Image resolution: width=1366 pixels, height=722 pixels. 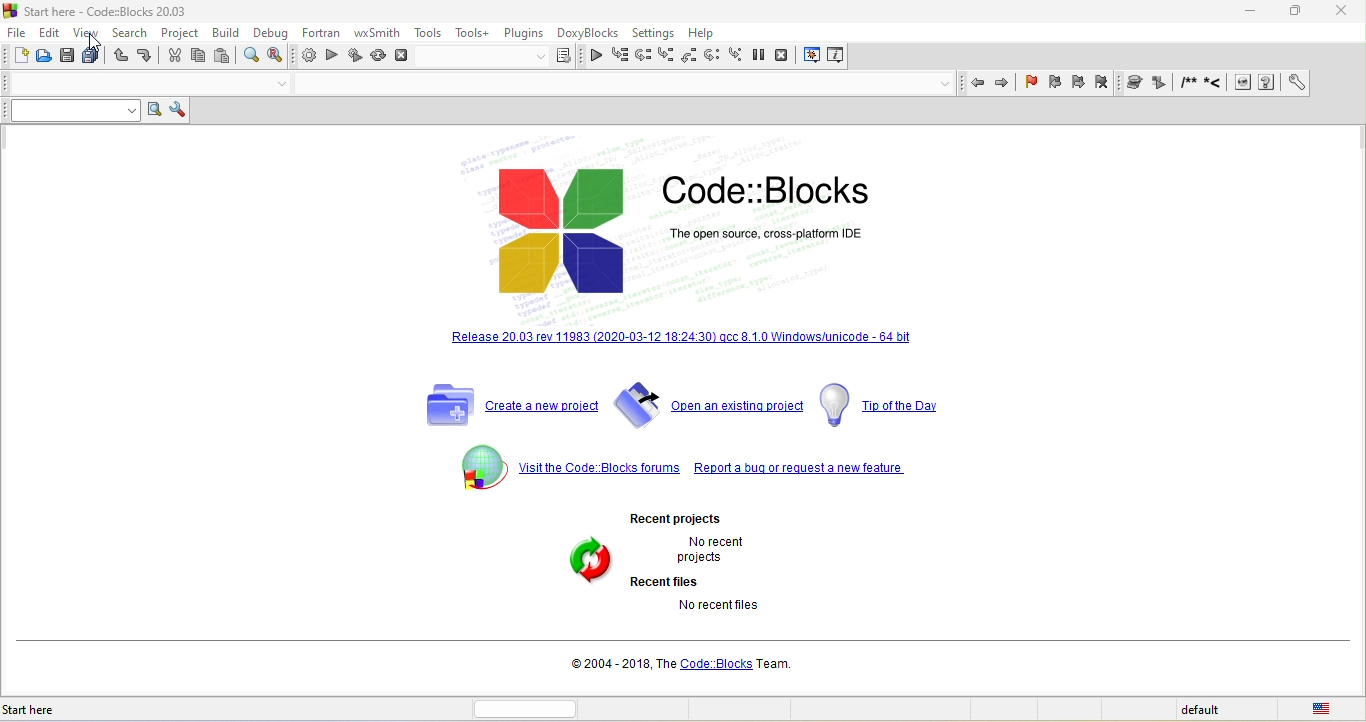 What do you see at coordinates (677, 667) in the screenshot?
I see `2004-2018 the code blocks team` at bounding box center [677, 667].